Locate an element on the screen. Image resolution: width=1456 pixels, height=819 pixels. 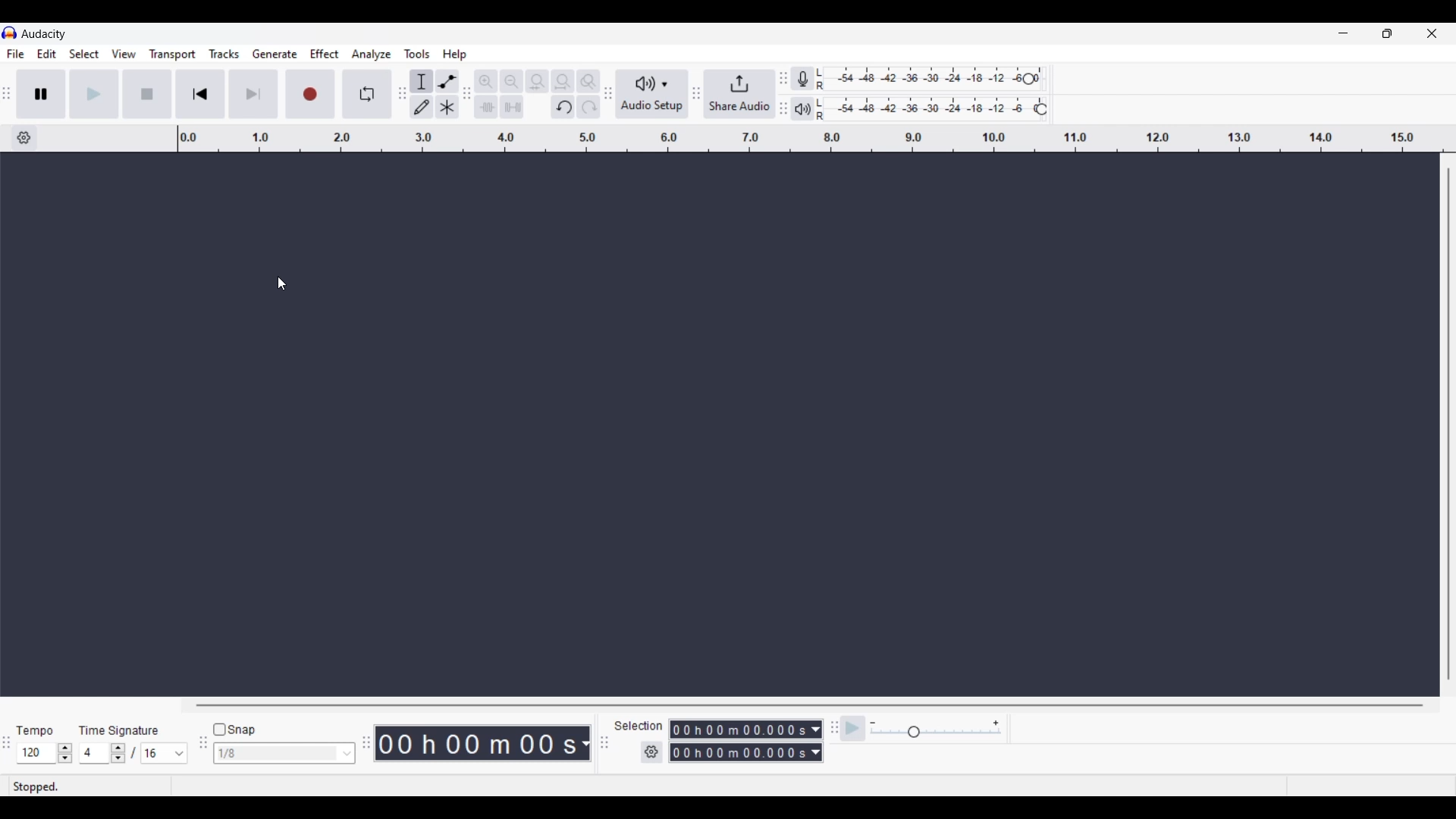
Zoom in is located at coordinates (485, 81).